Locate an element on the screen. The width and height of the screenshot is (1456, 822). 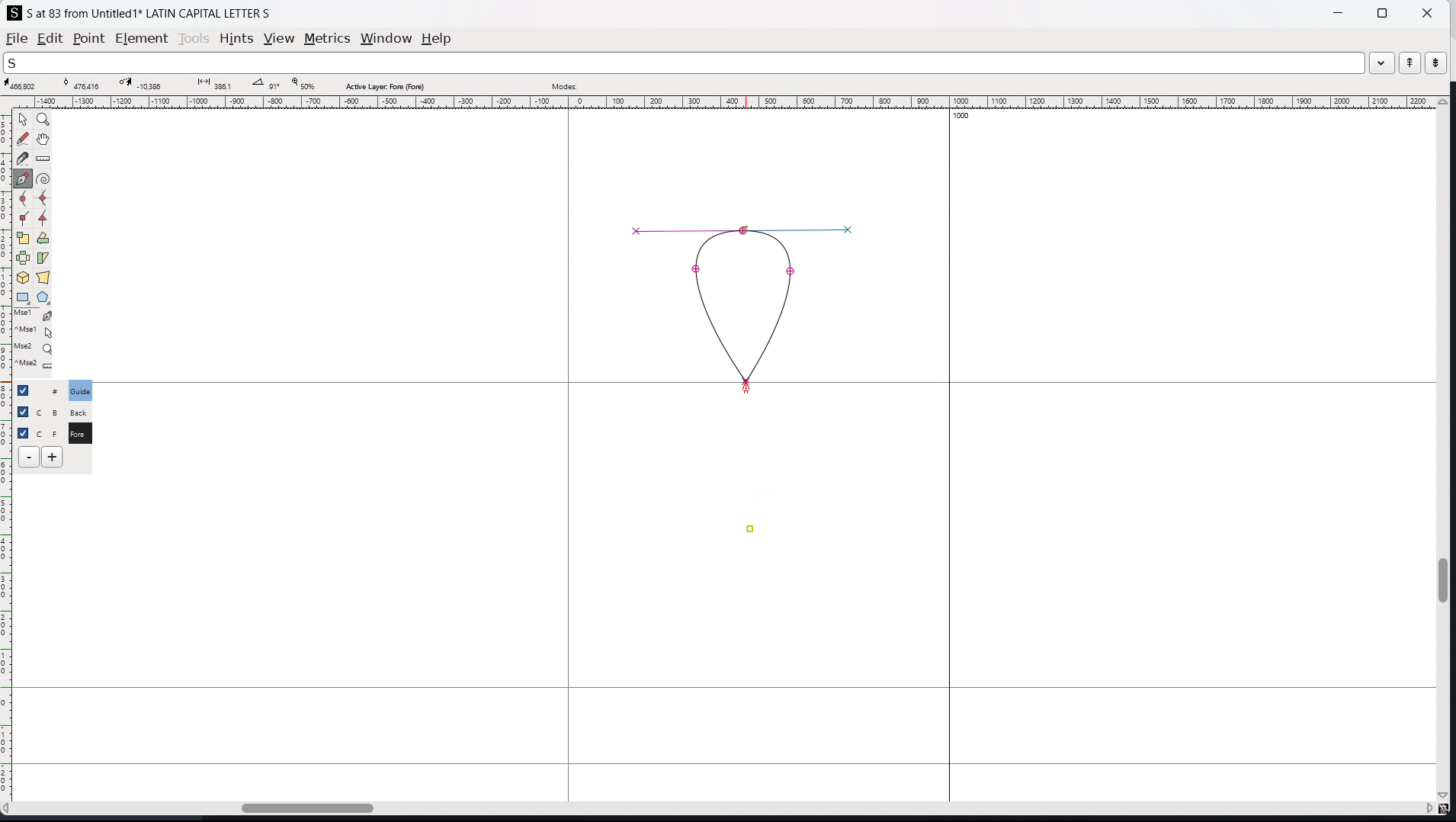
C B Back is located at coordinates (78, 410).